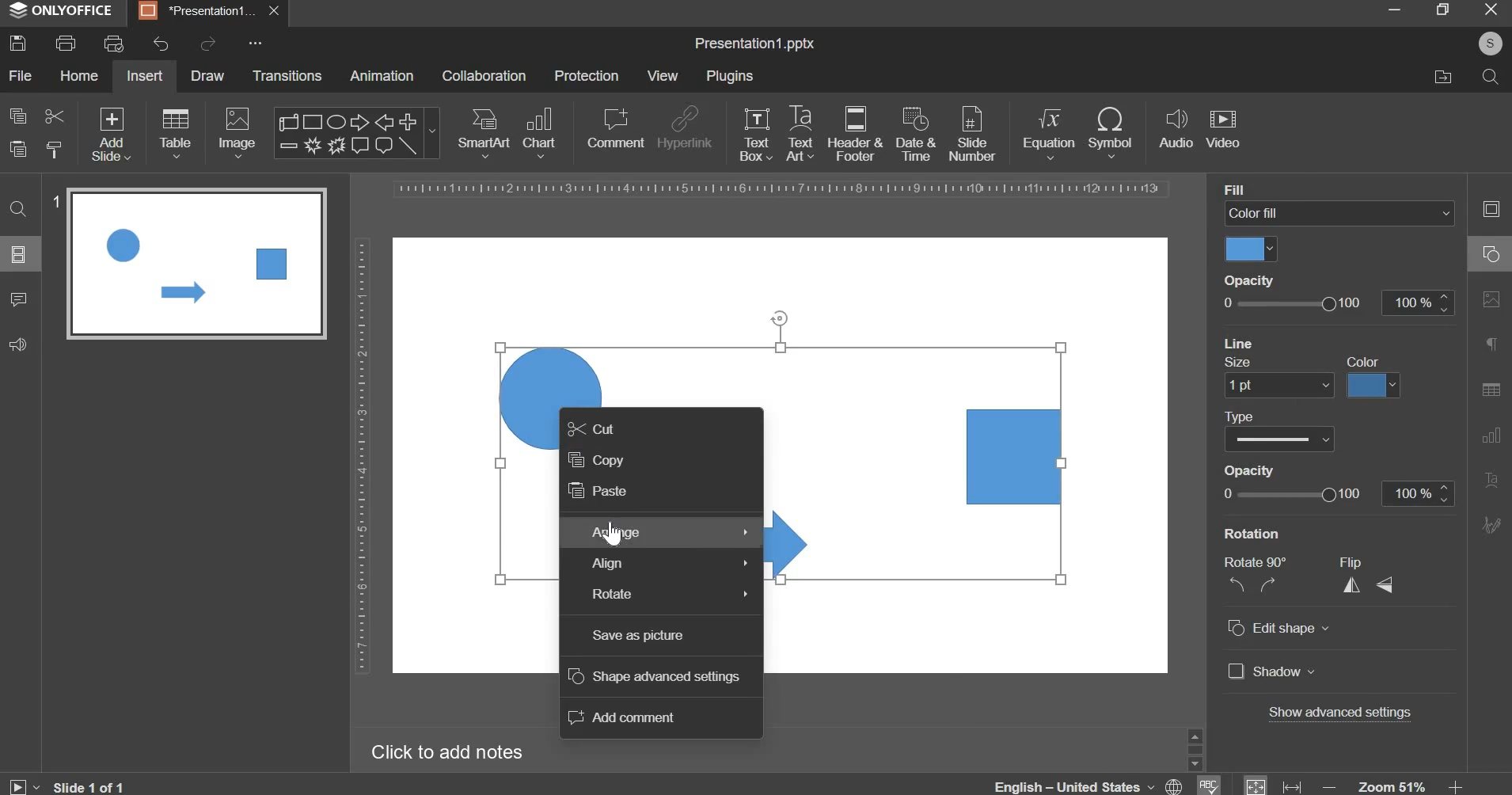  I want to click on start a slide show, so click(20, 784).